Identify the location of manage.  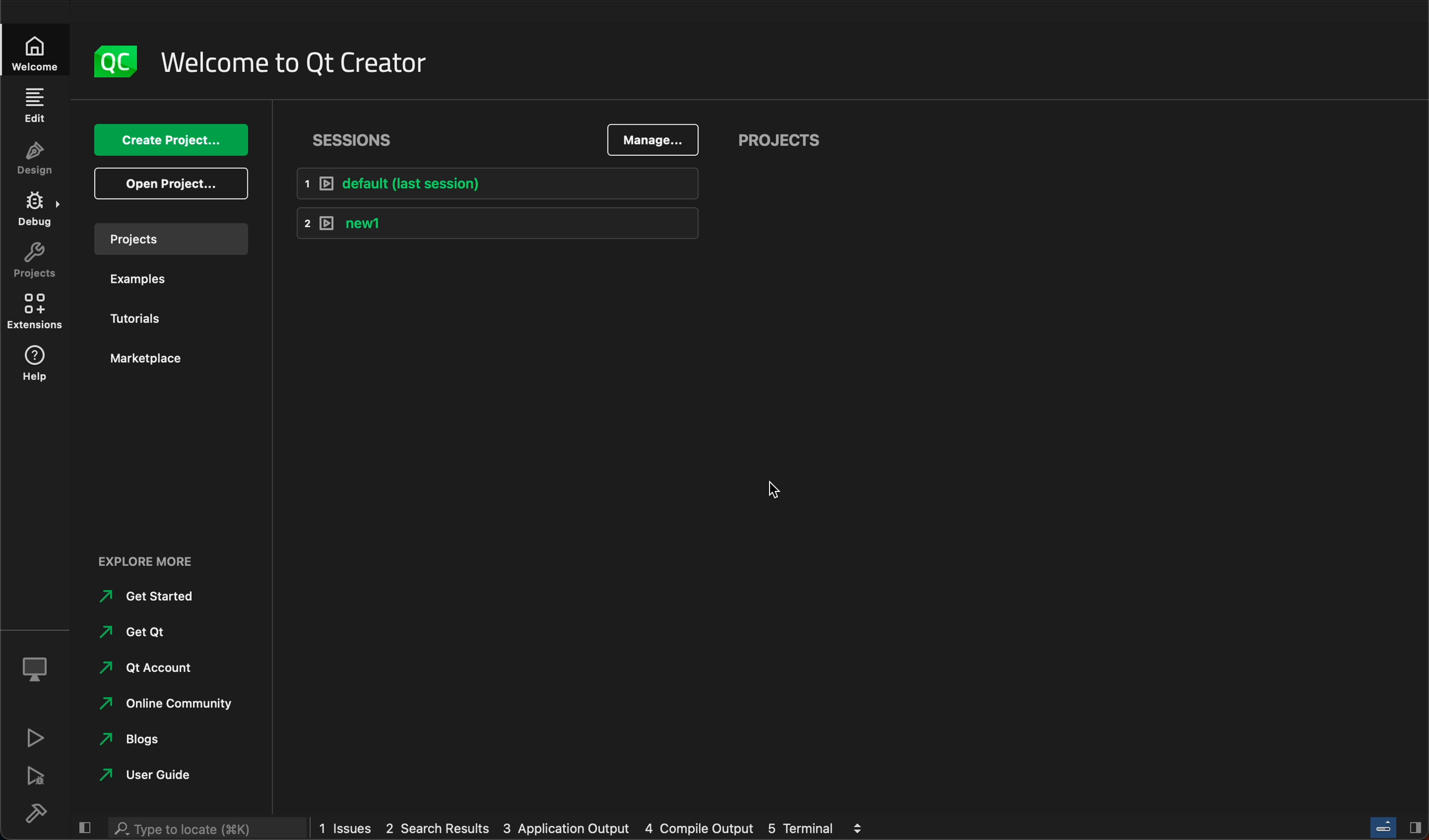
(653, 138).